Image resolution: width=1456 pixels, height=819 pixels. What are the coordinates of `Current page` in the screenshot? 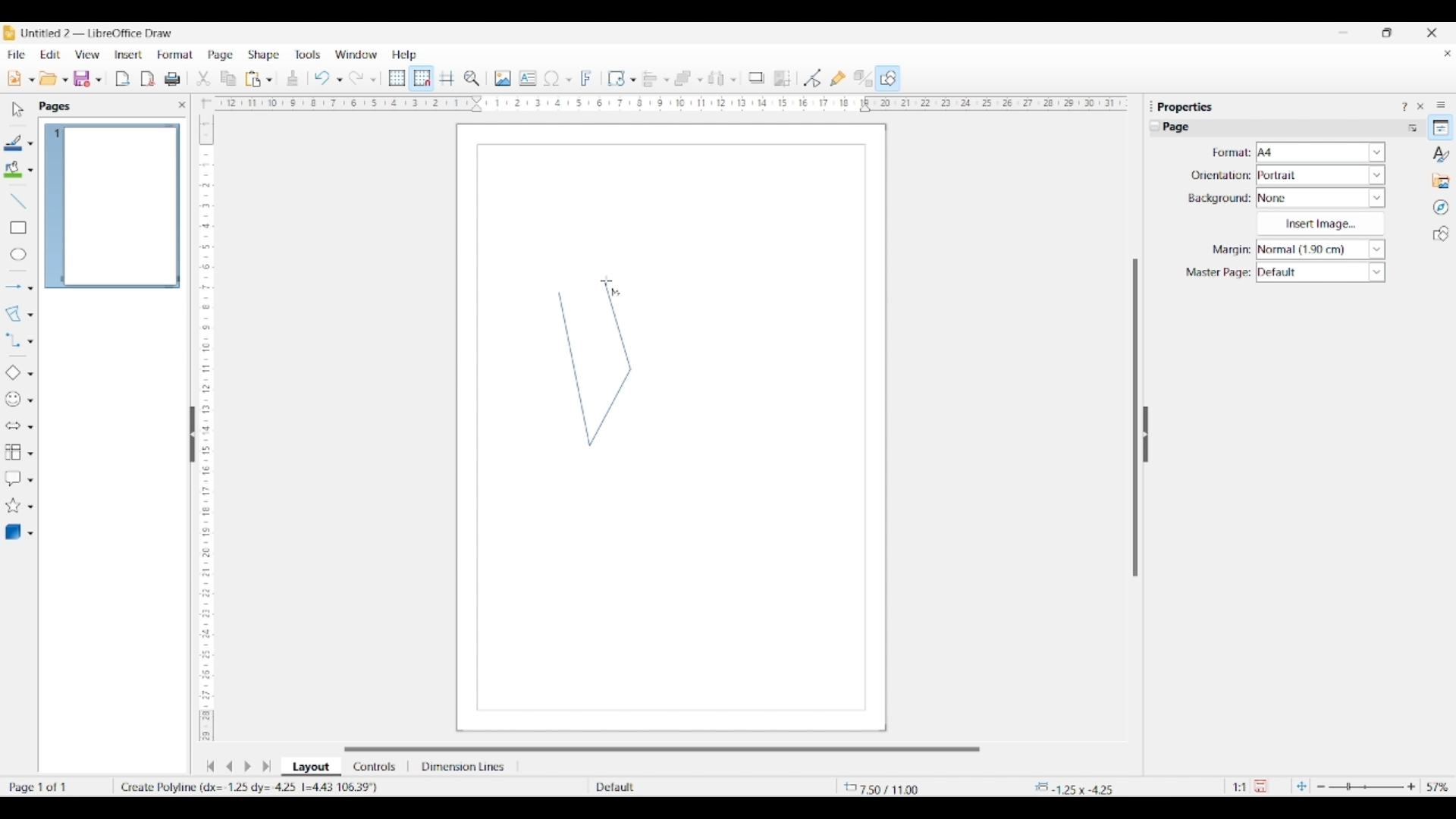 It's located at (111, 206).